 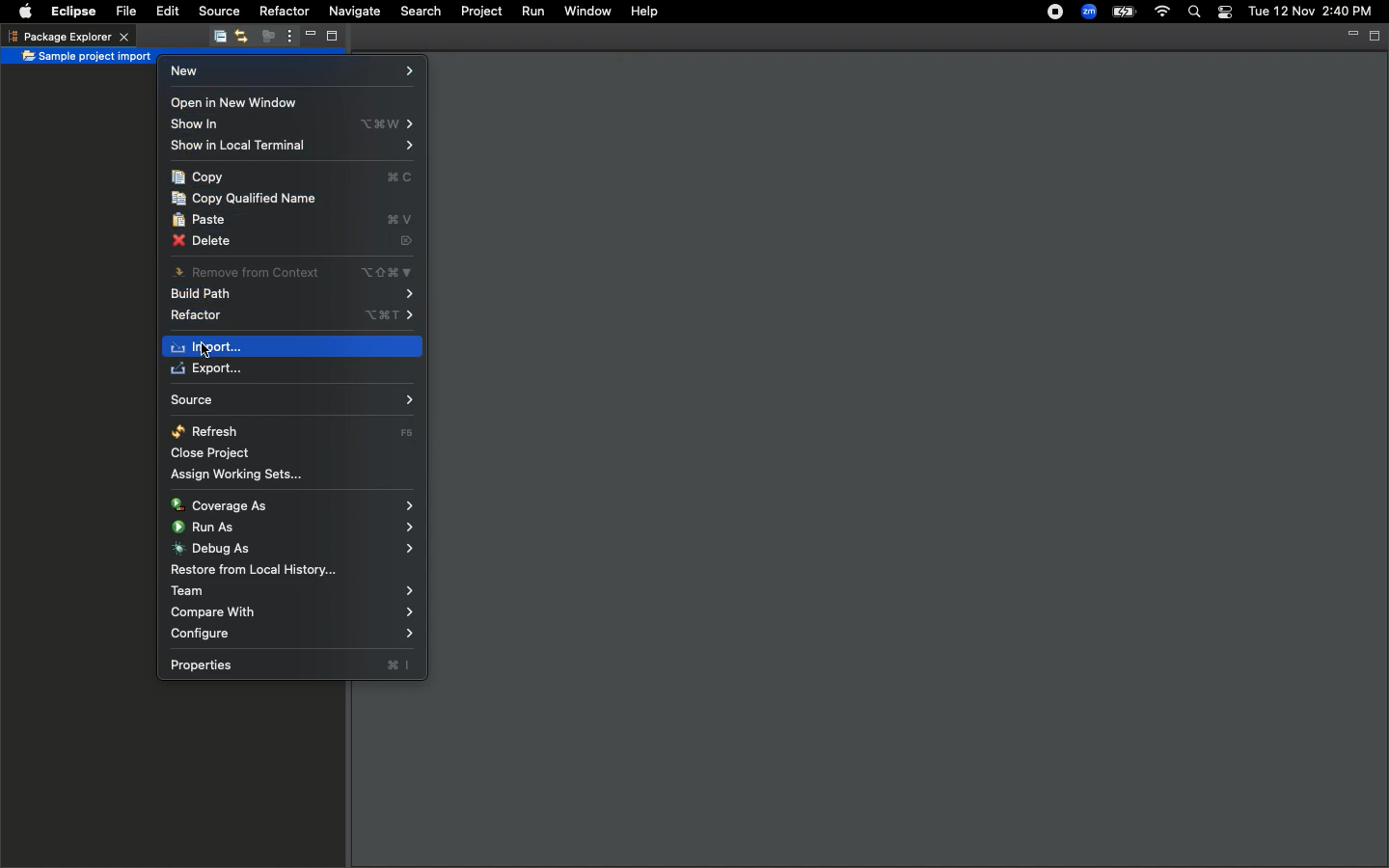 What do you see at coordinates (216, 40) in the screenshot?
I see `Collapse all` at bounding box center [216, 40].